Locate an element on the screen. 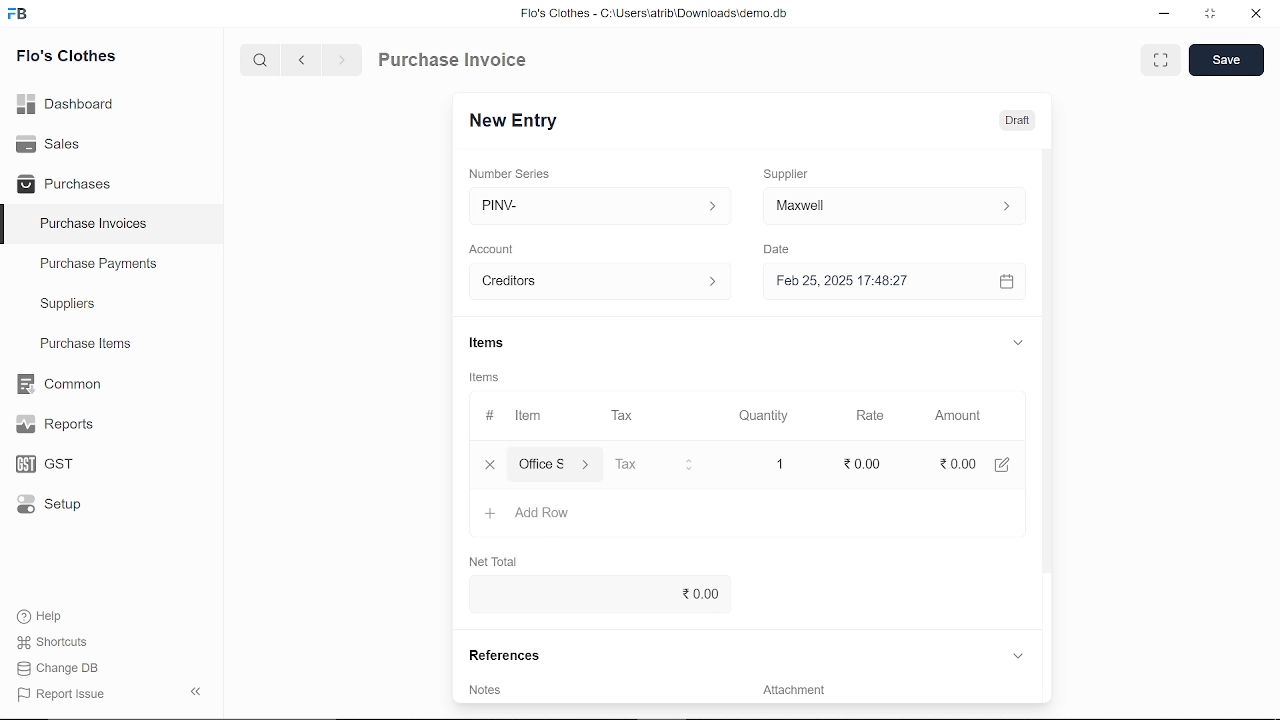 Image resolution: width=1280 pixels, height=720 pixels. ‘Number Series is located at coordinates (516, 173).